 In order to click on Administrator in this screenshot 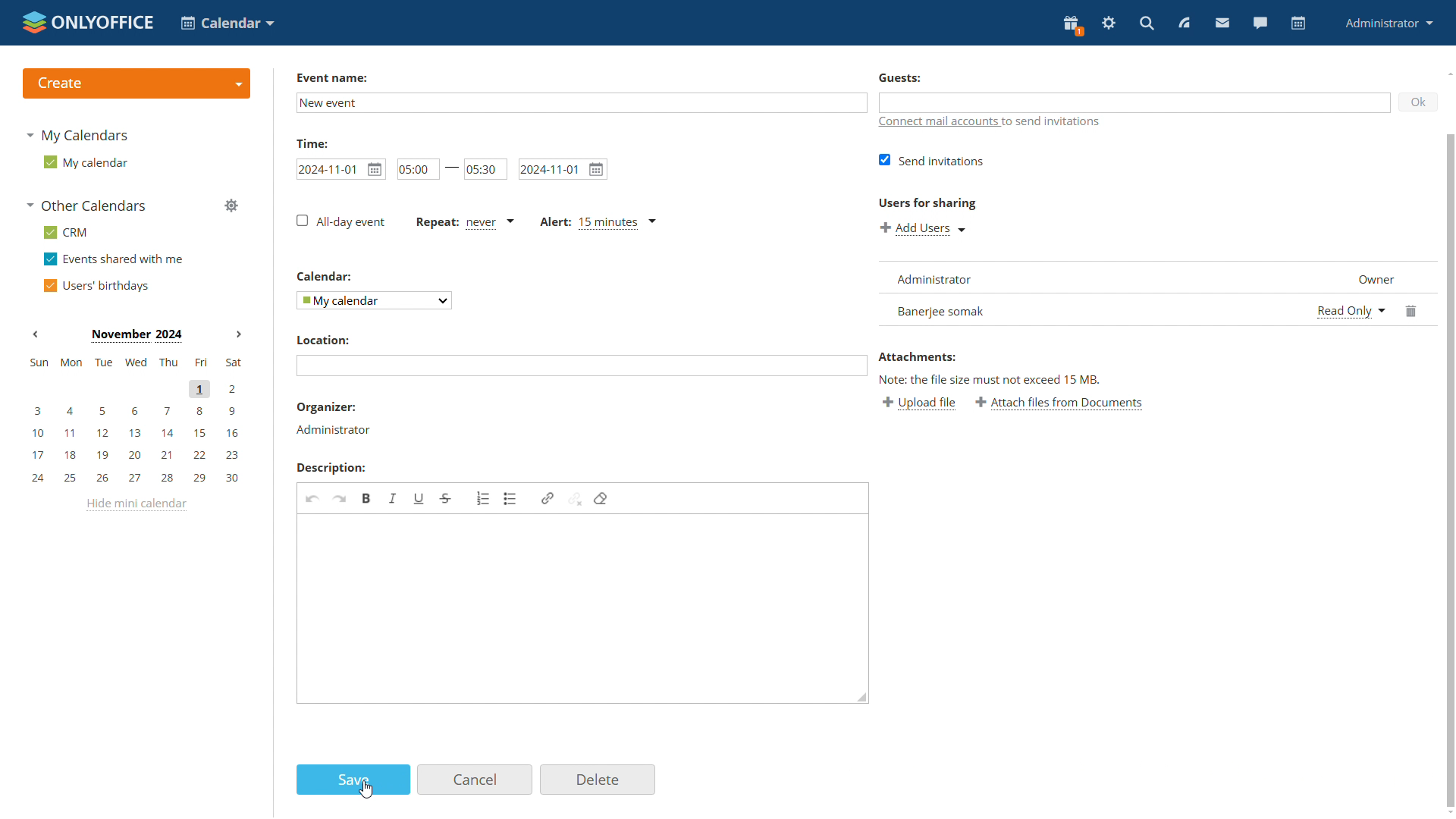, I will do `click(334, 430)`.